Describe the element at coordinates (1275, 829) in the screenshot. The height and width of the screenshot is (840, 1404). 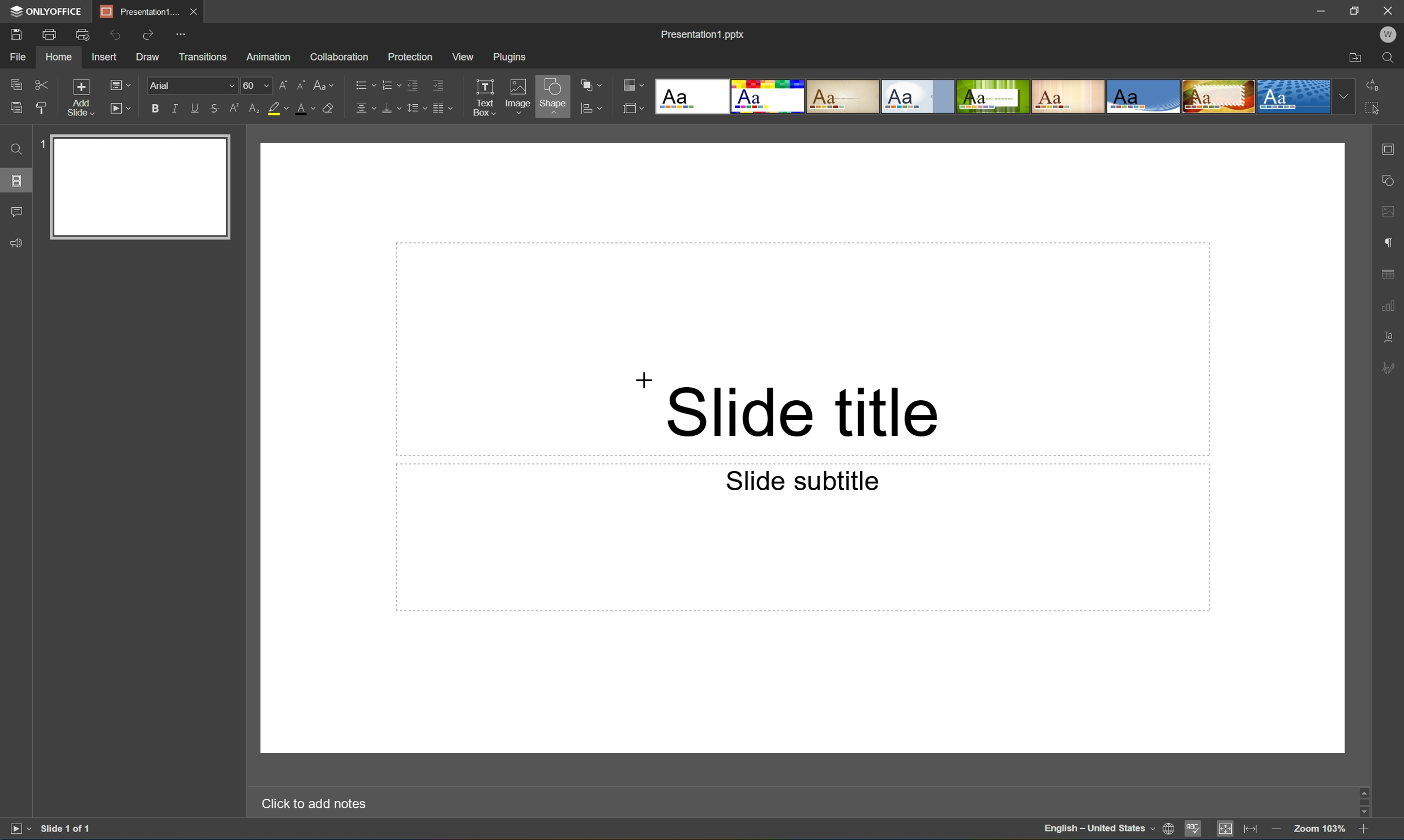
I see `Zoom out` at that location.